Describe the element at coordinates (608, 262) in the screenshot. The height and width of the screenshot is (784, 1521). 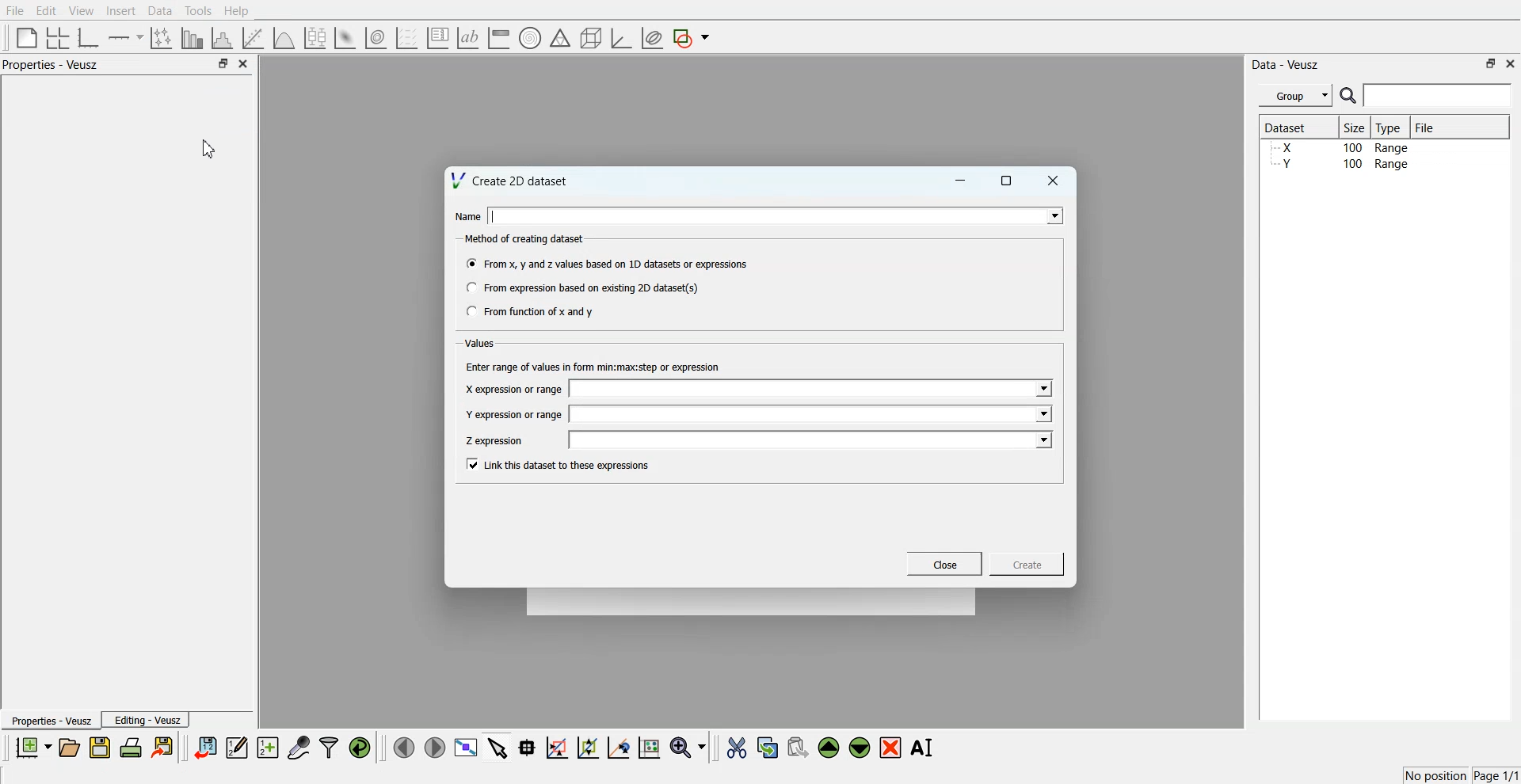
I see `|  (& Fromx, y and z values based on 1D datasets or expressions` at that location.